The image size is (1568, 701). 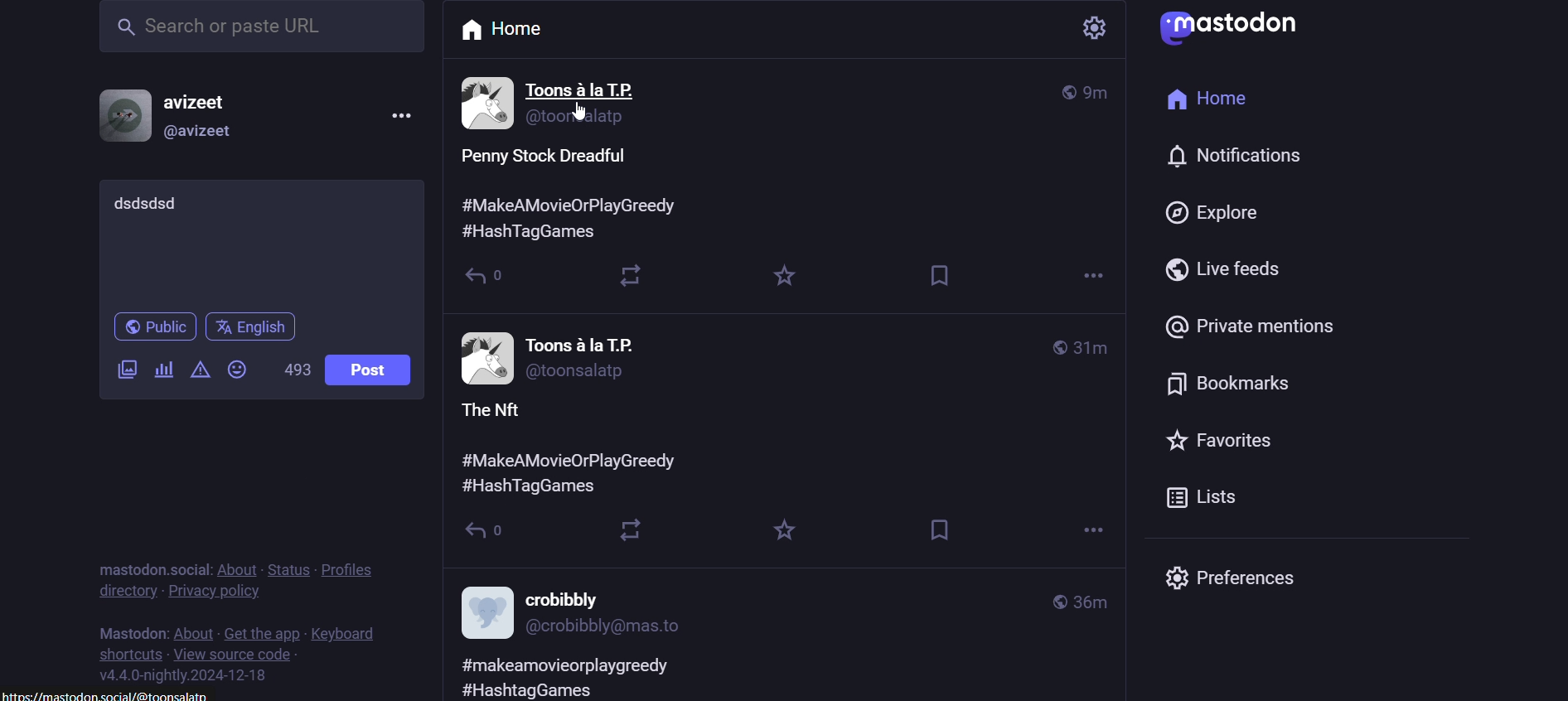 I want to click on , so click(x=632, y=531).